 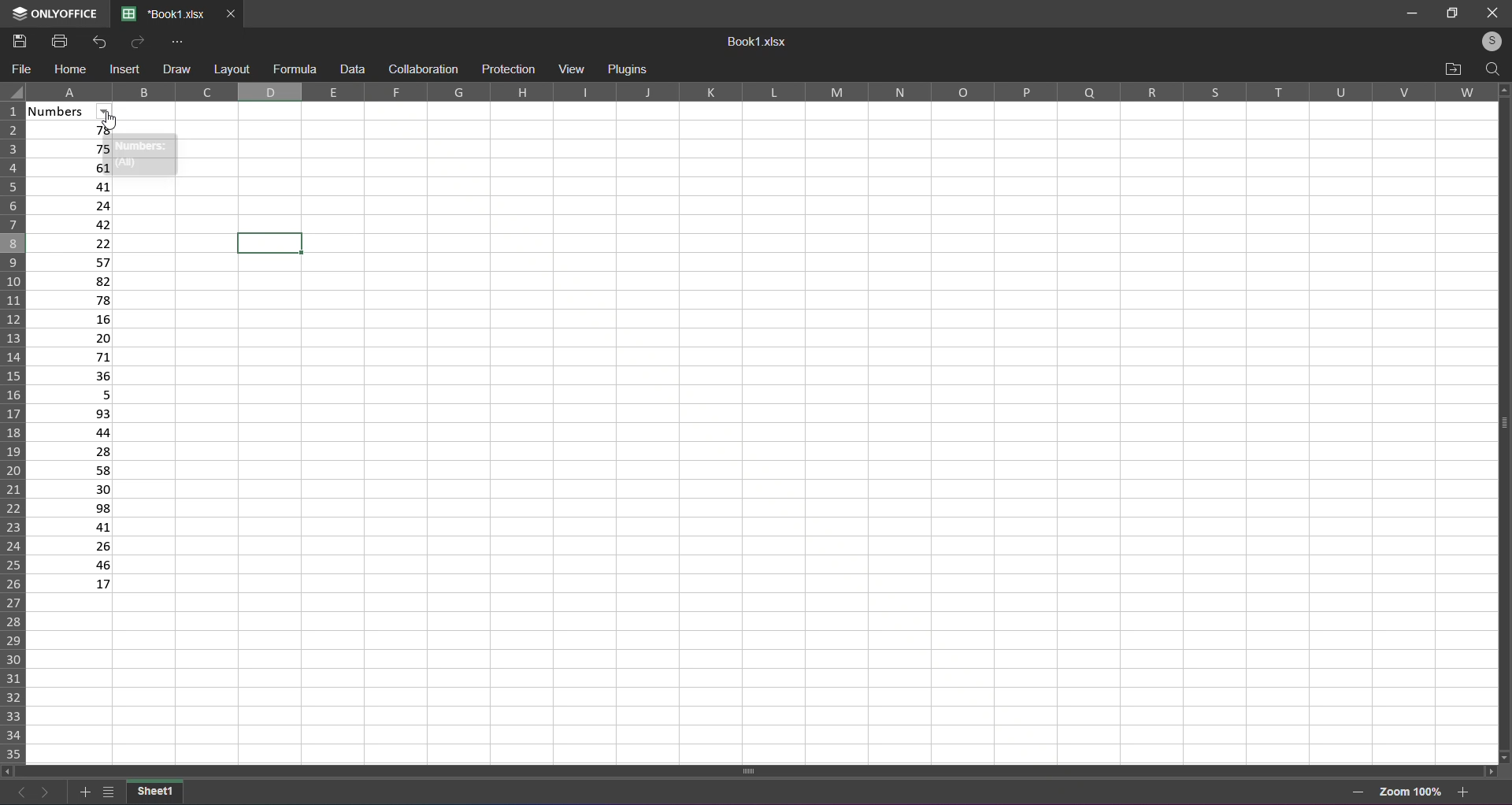 What do you see at coordinates (1408, 12) in the screenshot?
I see `Minimize` at bounding box center [1408, 12].